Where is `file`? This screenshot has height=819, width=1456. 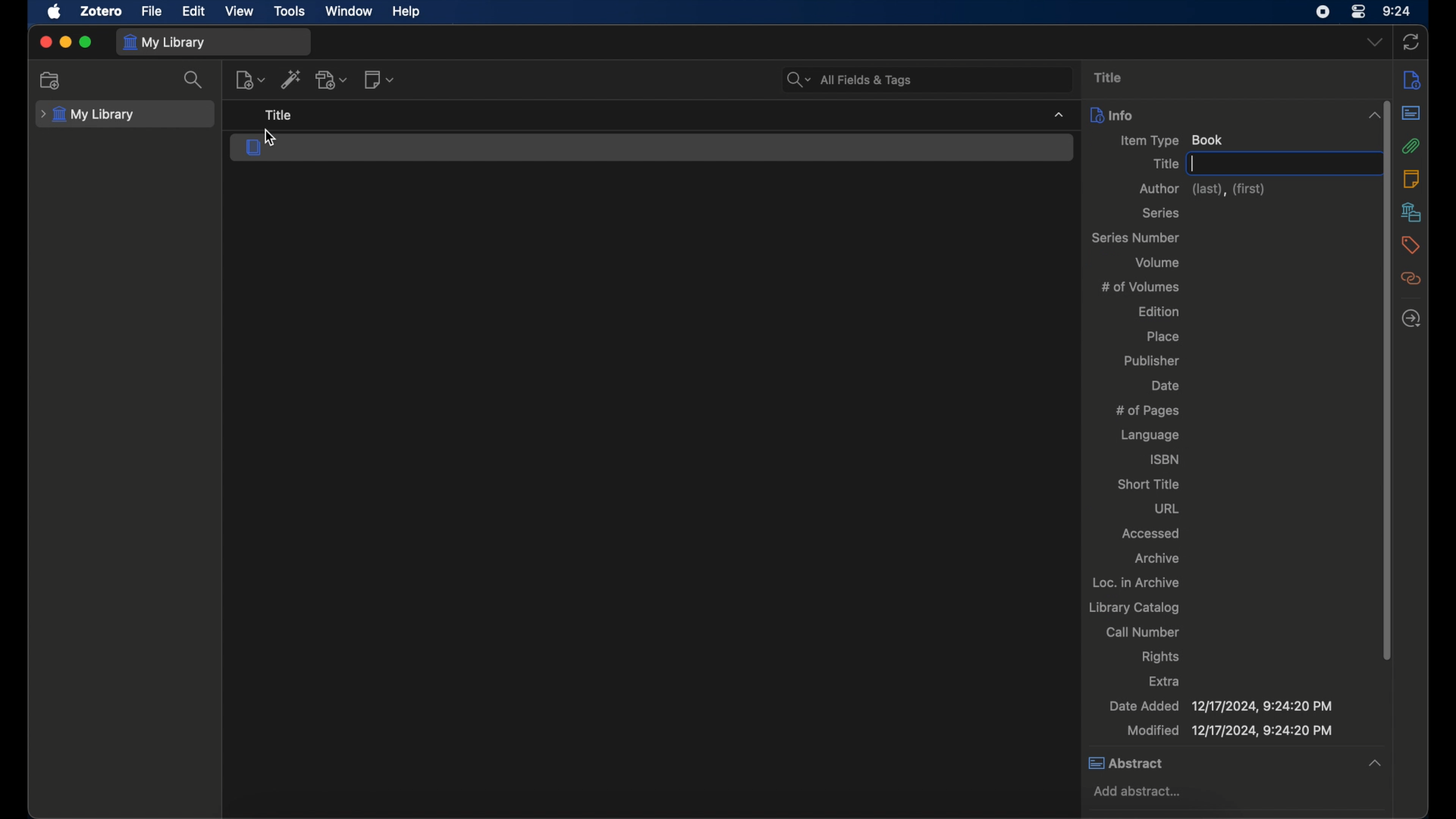
file is located at coordinates (152, 12).